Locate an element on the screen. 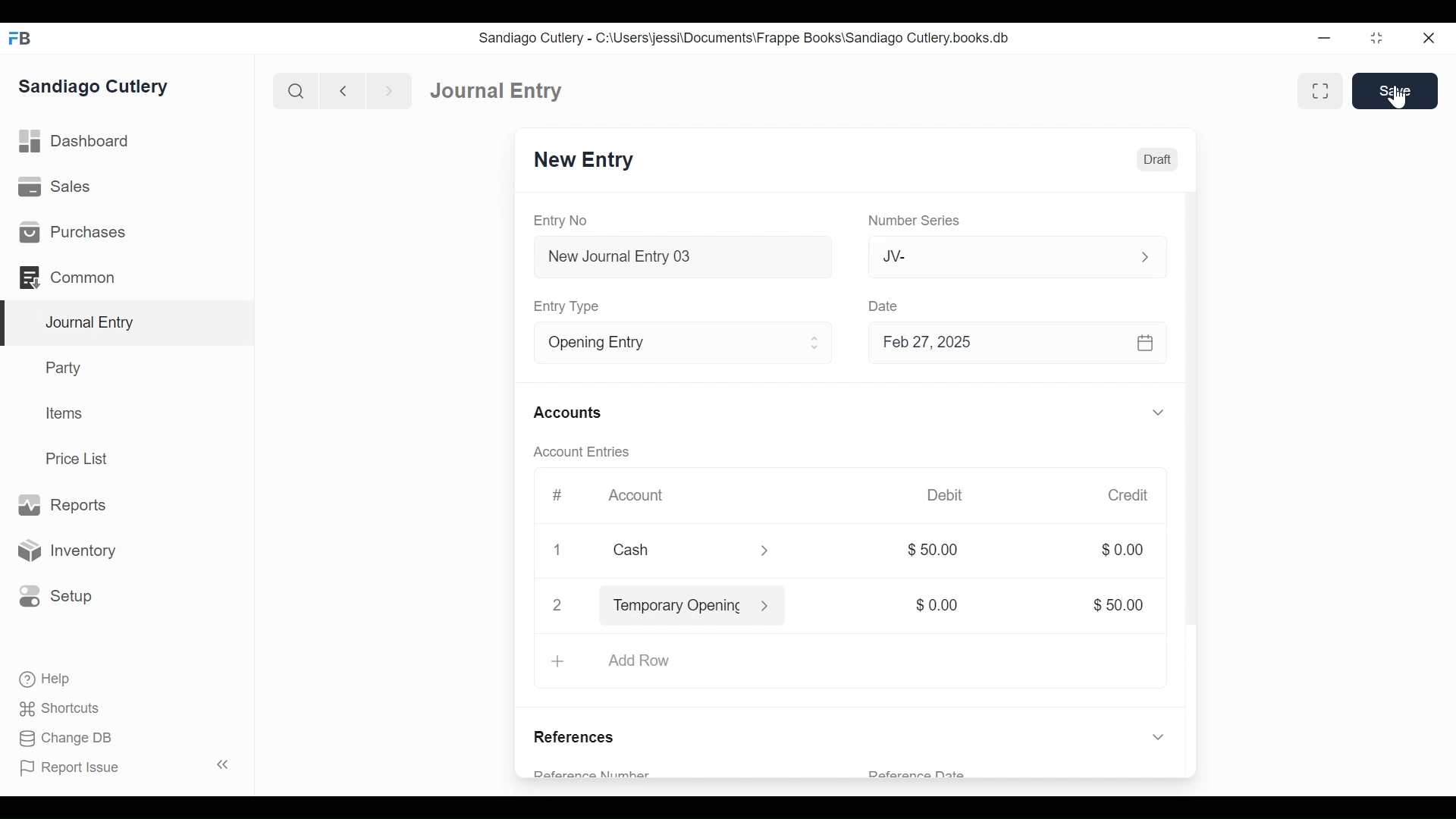 Image resolution: width=1456 pixels, height=819 pixels. Expand is located at coordinates (816, 344).